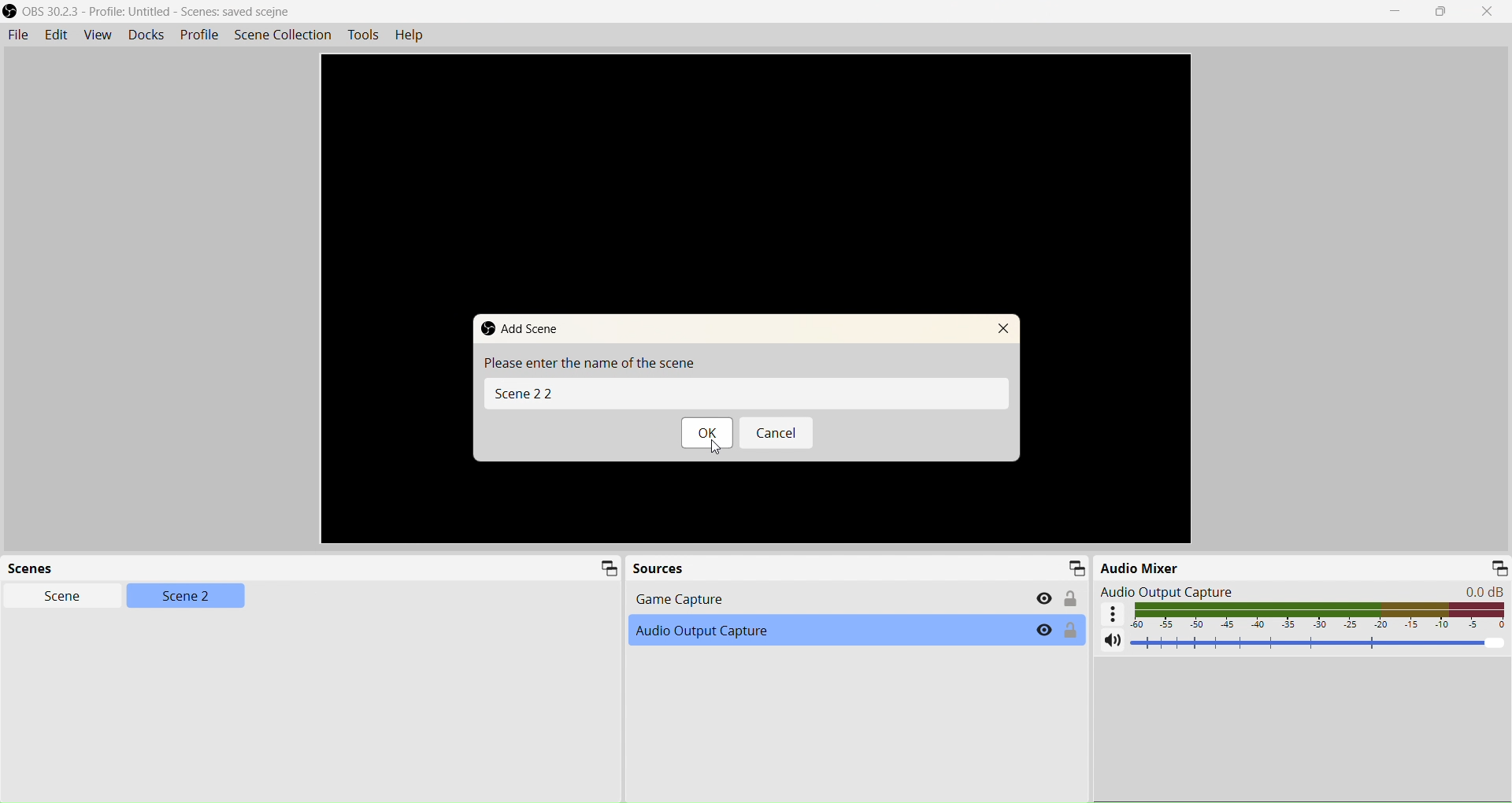 The height and width of the screenshot is (803, 1512). What do you see at coordinates (1440, 12) in the screenshot?
I see `Maximize` at bounding box center [1440, 12].